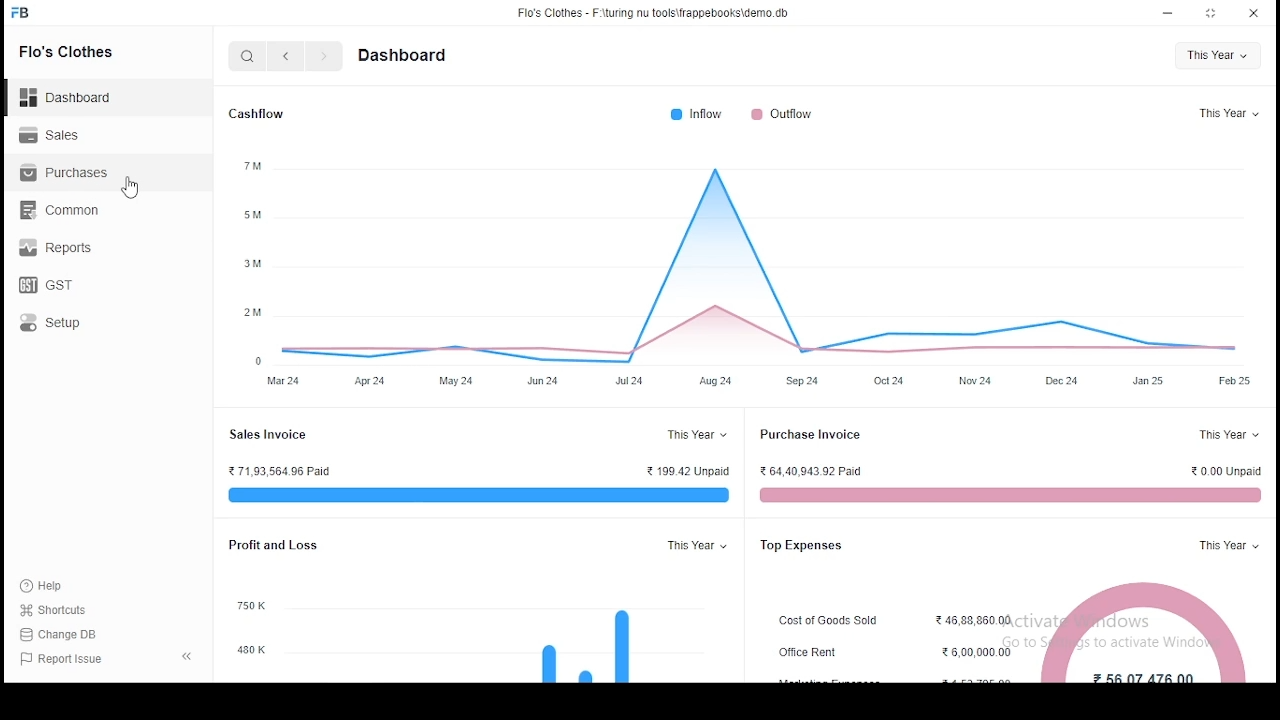 This screenshot has height=720, width=1280. I want to click on this year, so click(1227, 115).